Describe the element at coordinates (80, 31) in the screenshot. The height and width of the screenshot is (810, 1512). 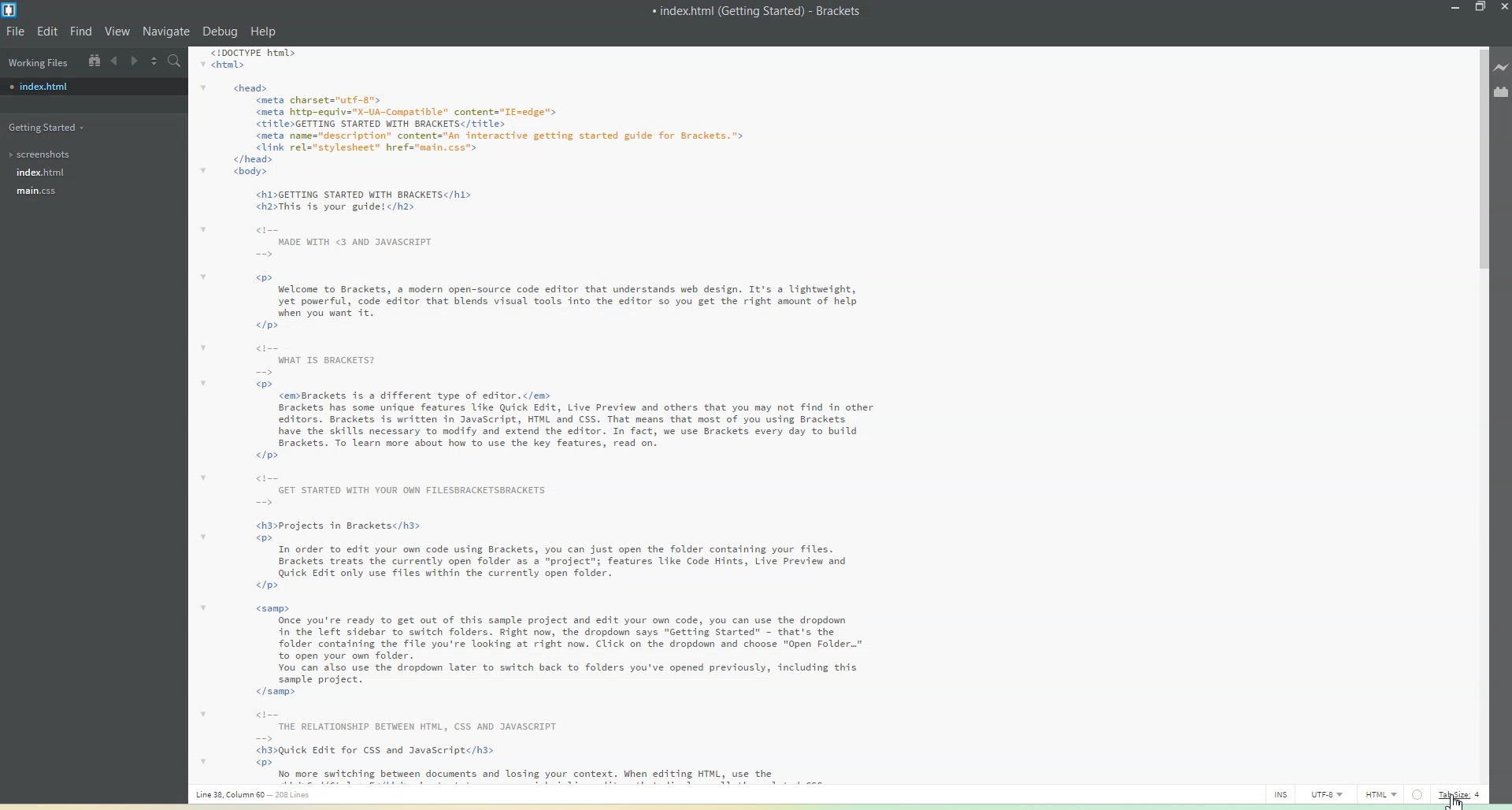
I see `Find` at that location.